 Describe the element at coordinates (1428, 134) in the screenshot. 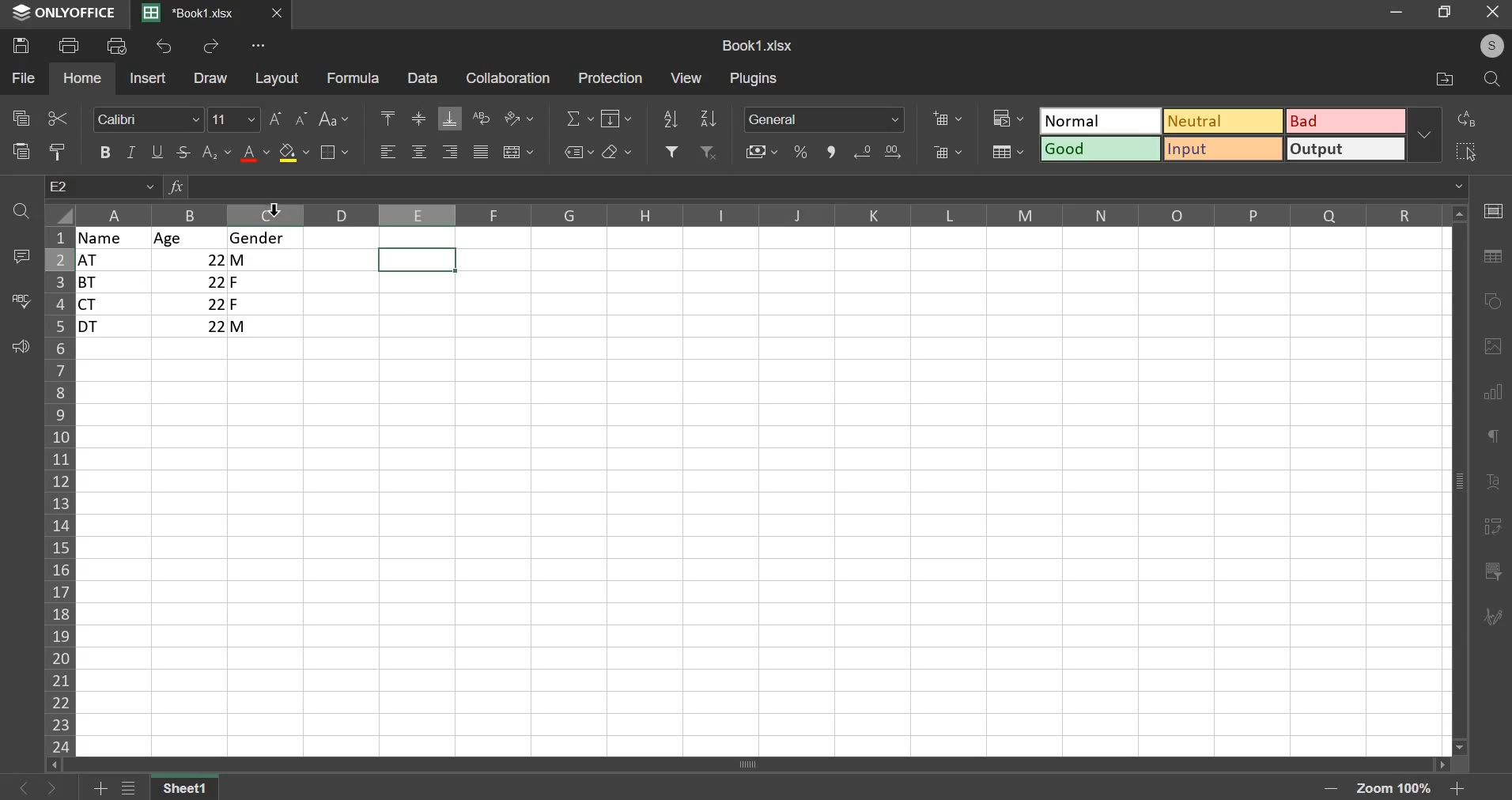

I see `more` at that location.